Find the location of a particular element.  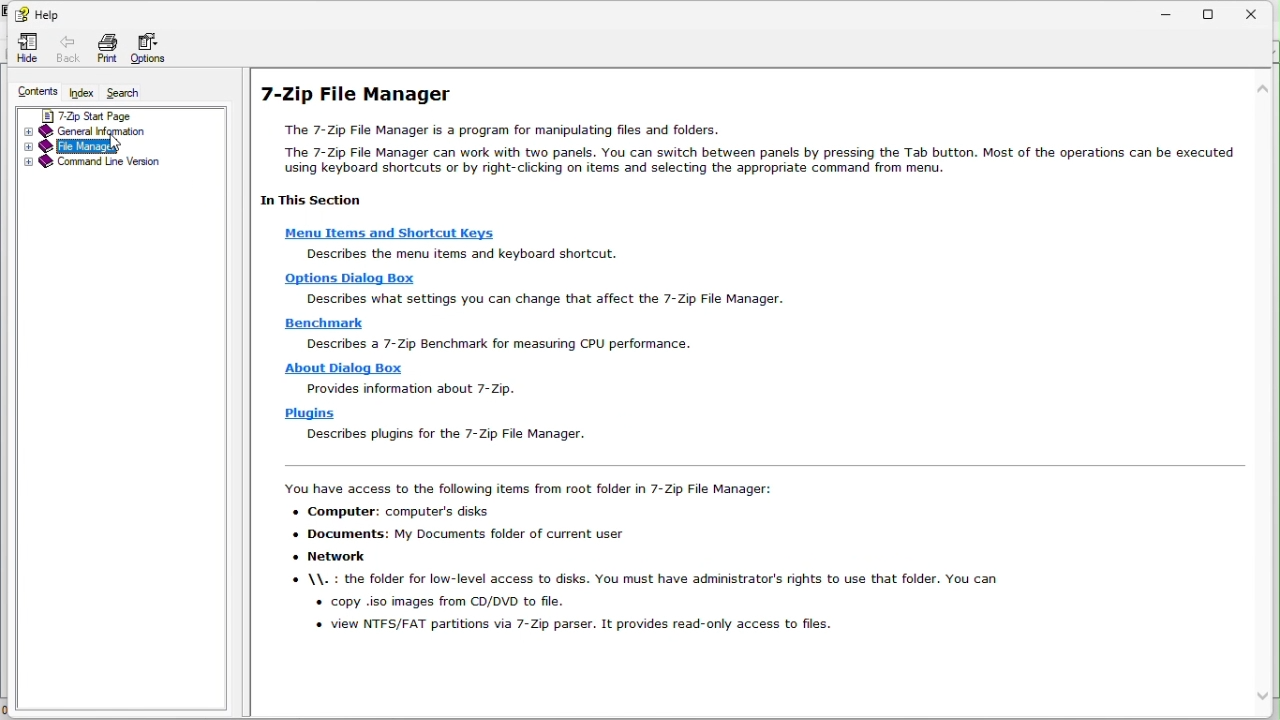

Menu items and shortcut keys is located at coordinates (390, 232).